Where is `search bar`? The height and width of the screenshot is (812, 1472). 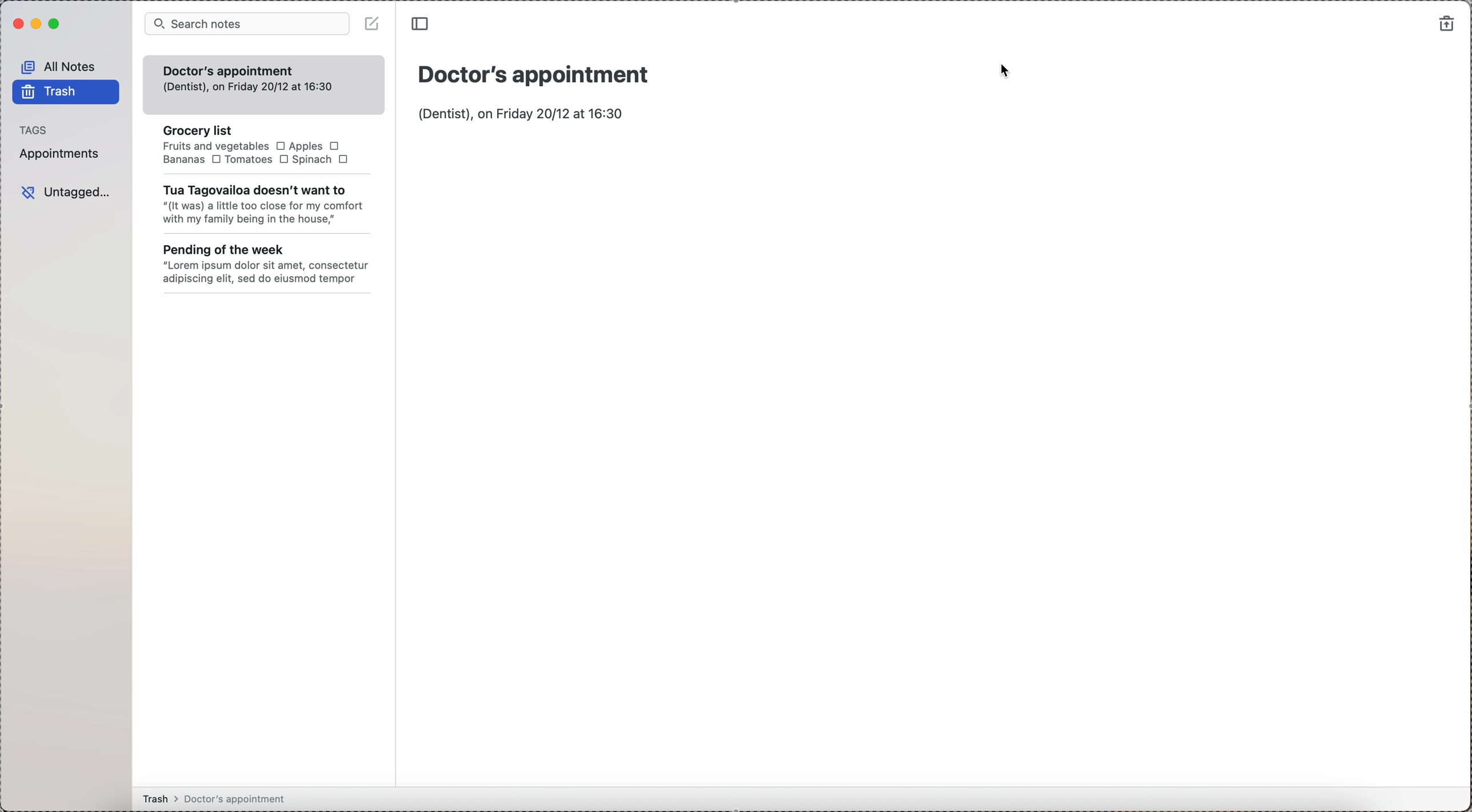
search bar is located at coordinates (245, 24).